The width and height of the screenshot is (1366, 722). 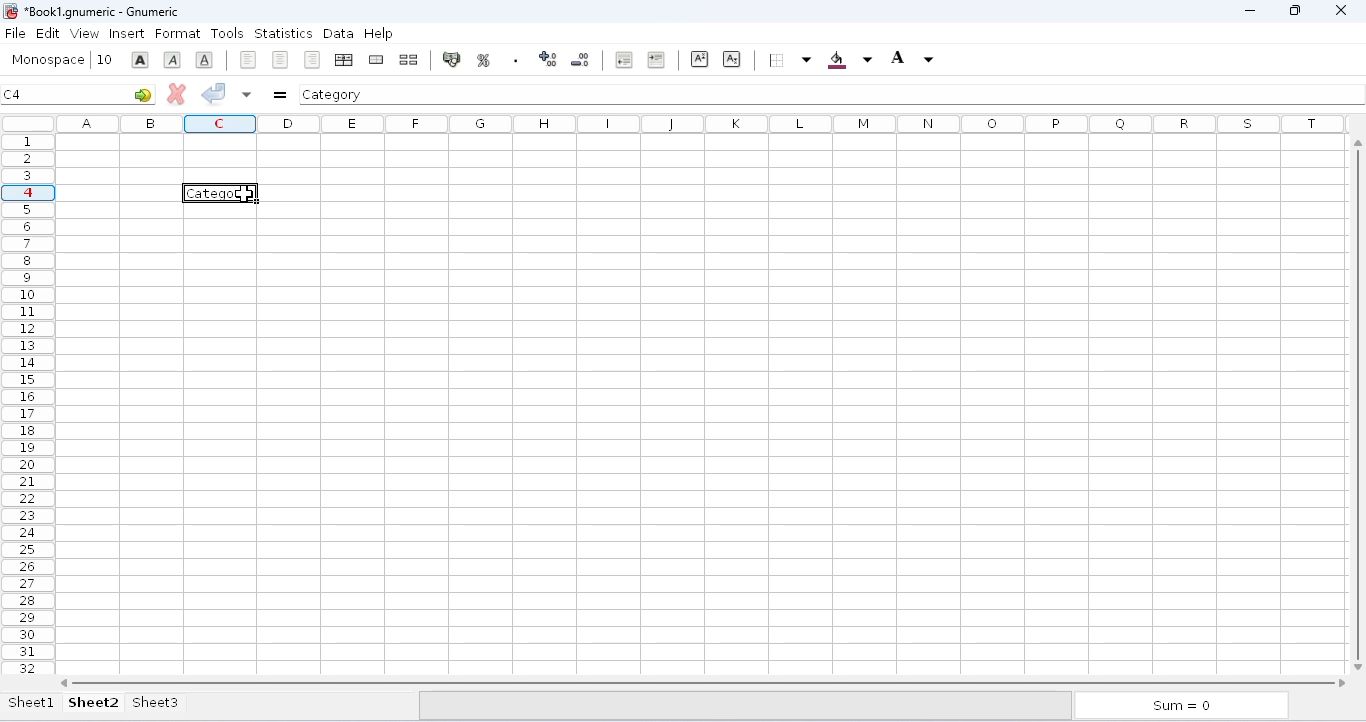 What do you see at coordinates (622, 59) in the screenshot?
I see `decrease the indent` at bounding box center [622, 59].